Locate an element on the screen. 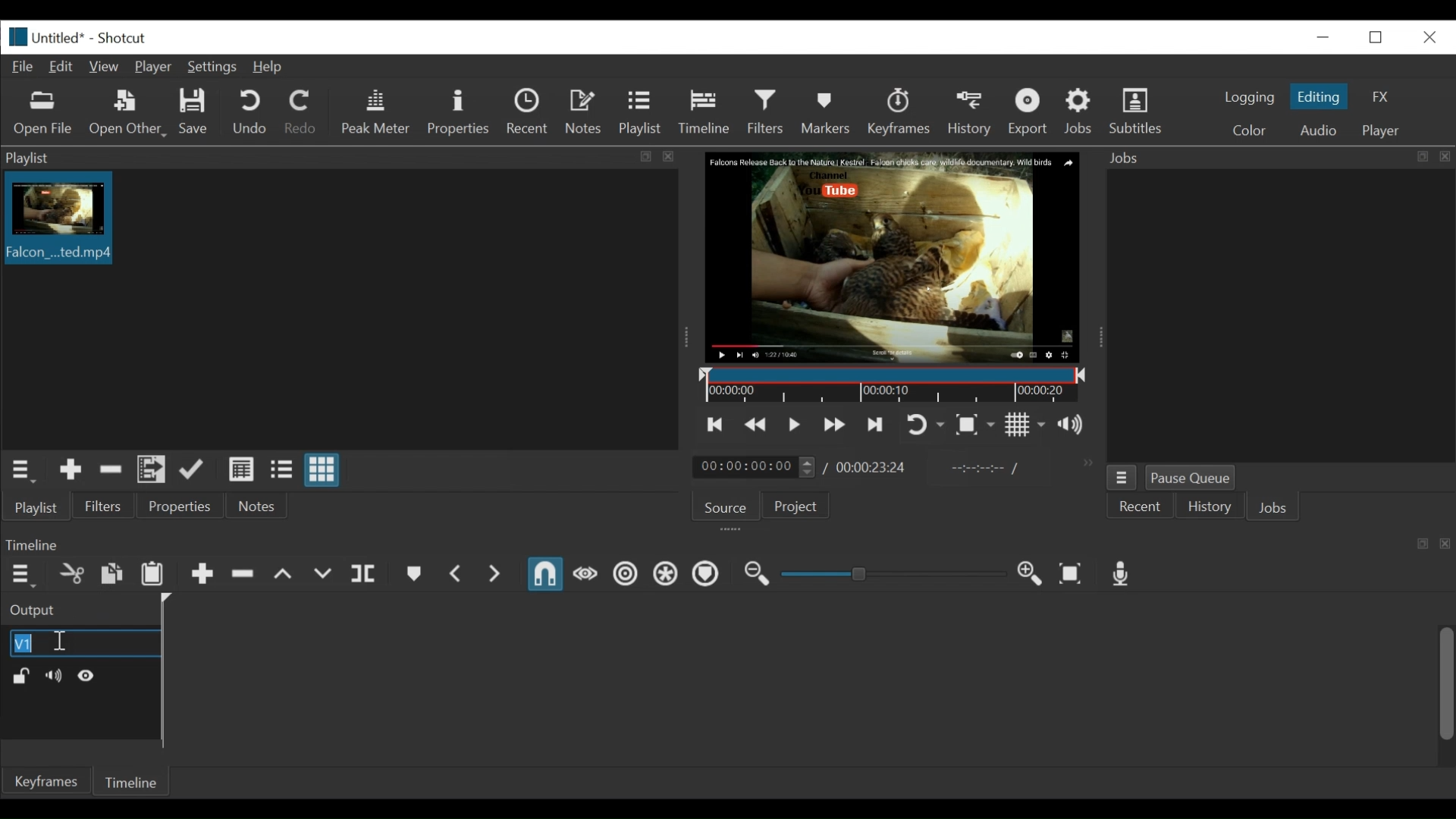 The image size is (1456, 819). Record audio is located at coordinates (1122, 574).